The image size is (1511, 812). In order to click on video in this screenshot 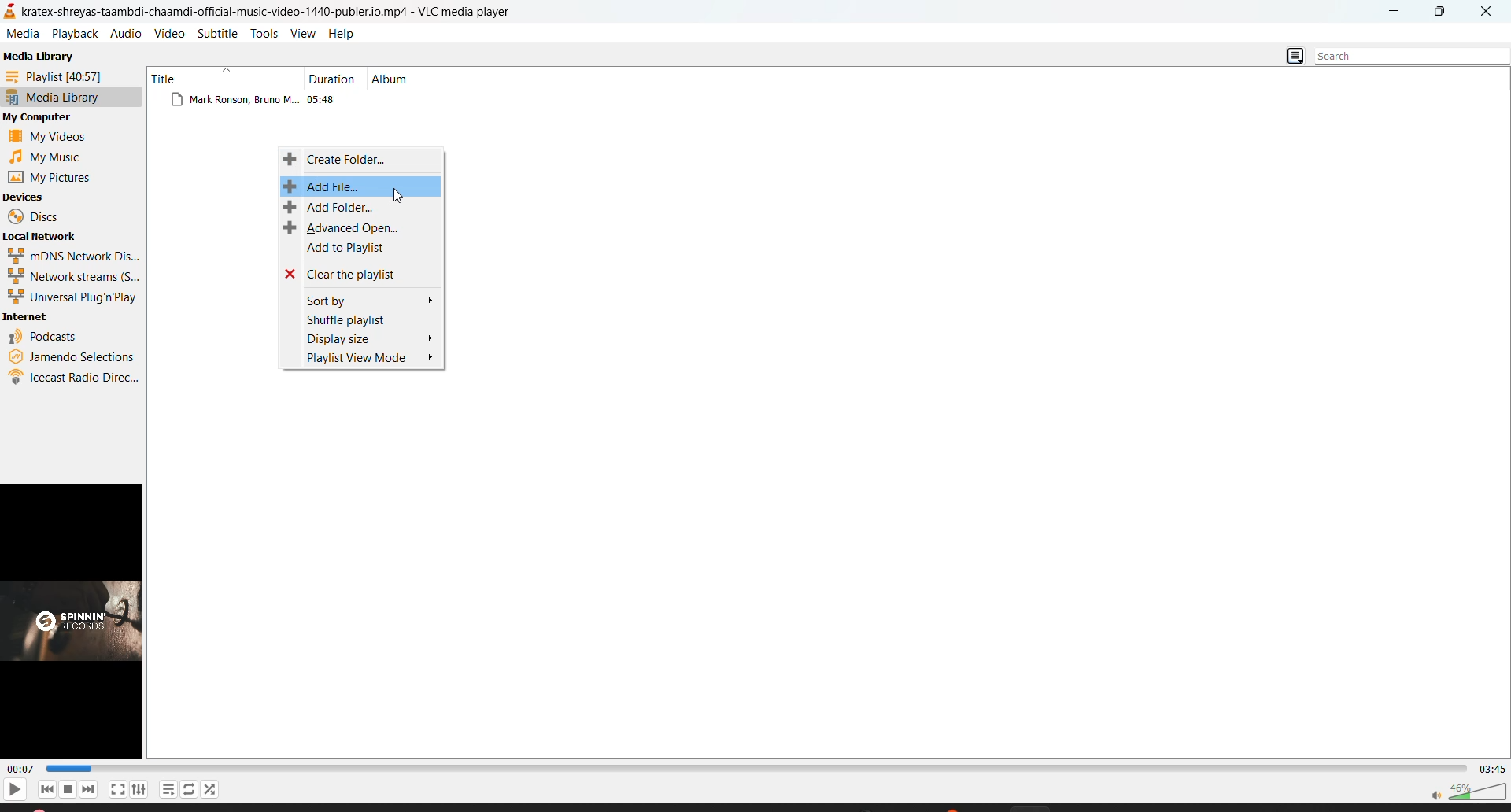, I will do `click(170, 33)`.